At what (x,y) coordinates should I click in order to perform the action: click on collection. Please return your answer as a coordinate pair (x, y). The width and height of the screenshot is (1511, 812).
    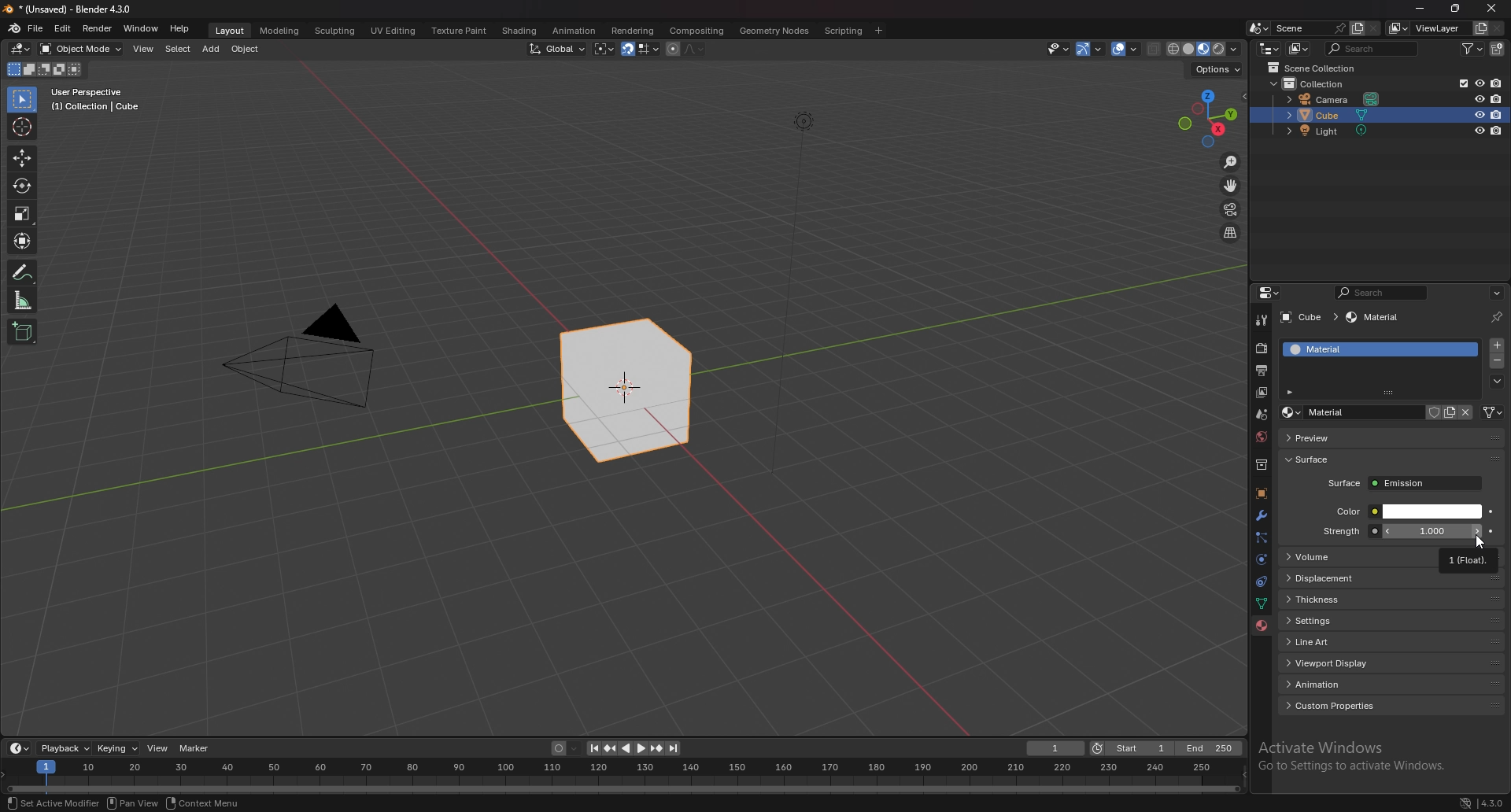
    Looking at the image, I should click on (1262, 465).